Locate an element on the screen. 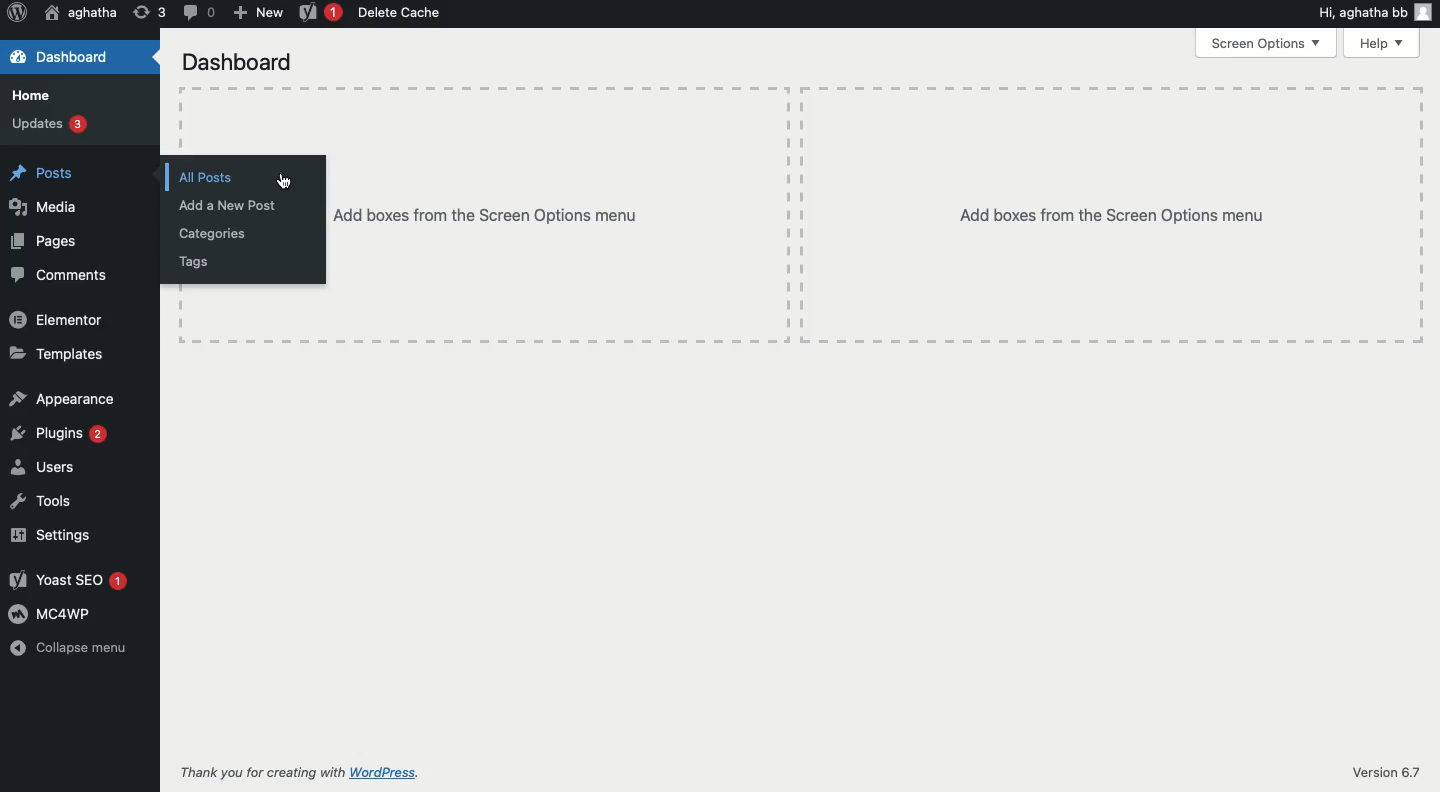 The height and width of the screenshot is (792, 1440). Templates is located at coordinates (55, 357).